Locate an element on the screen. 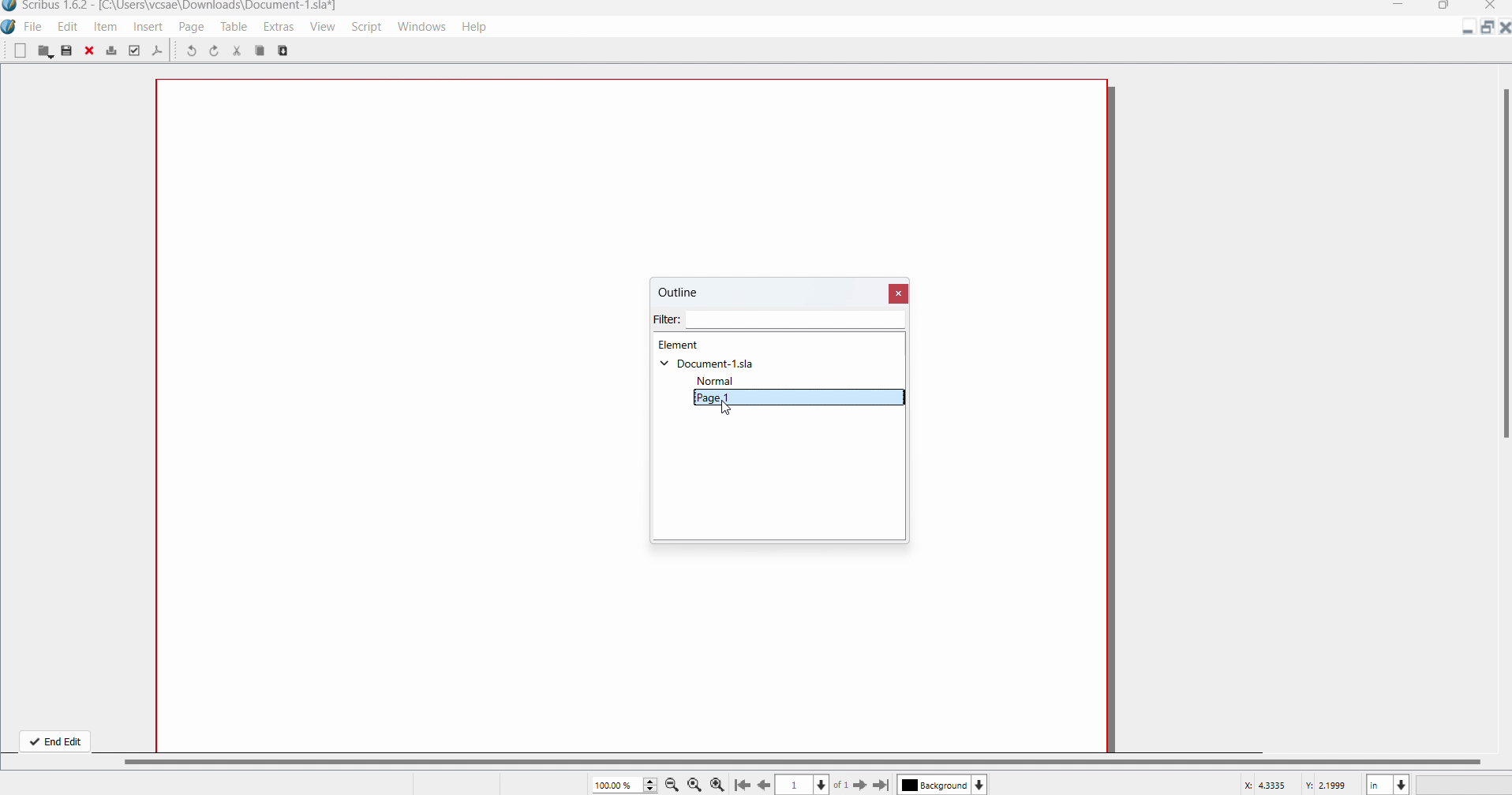 The height and width of the screenshot is (795, 1512).  is located at coordinates (240, 50).